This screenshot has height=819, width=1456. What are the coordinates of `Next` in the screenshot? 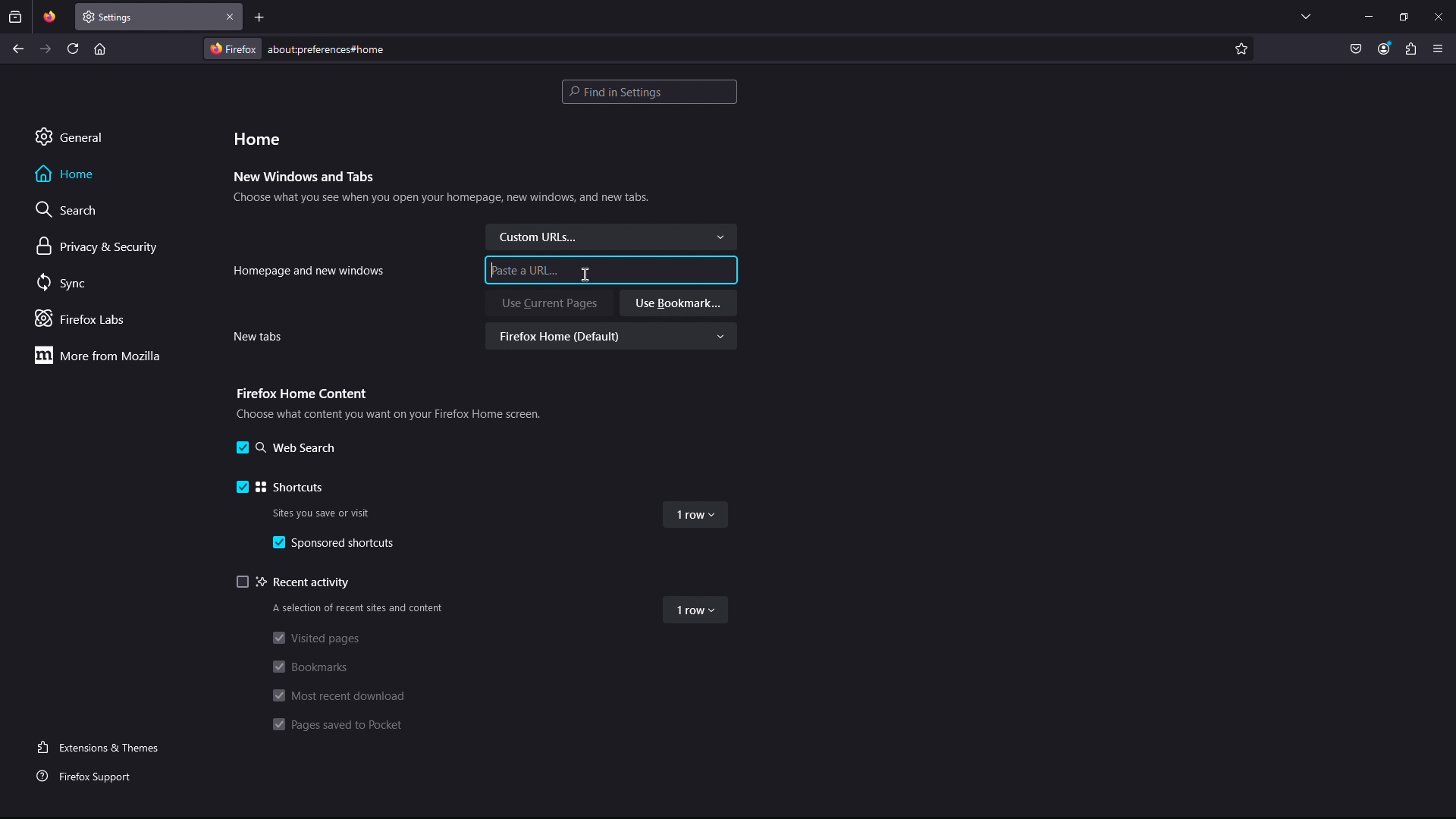 It's located at (46, 49).